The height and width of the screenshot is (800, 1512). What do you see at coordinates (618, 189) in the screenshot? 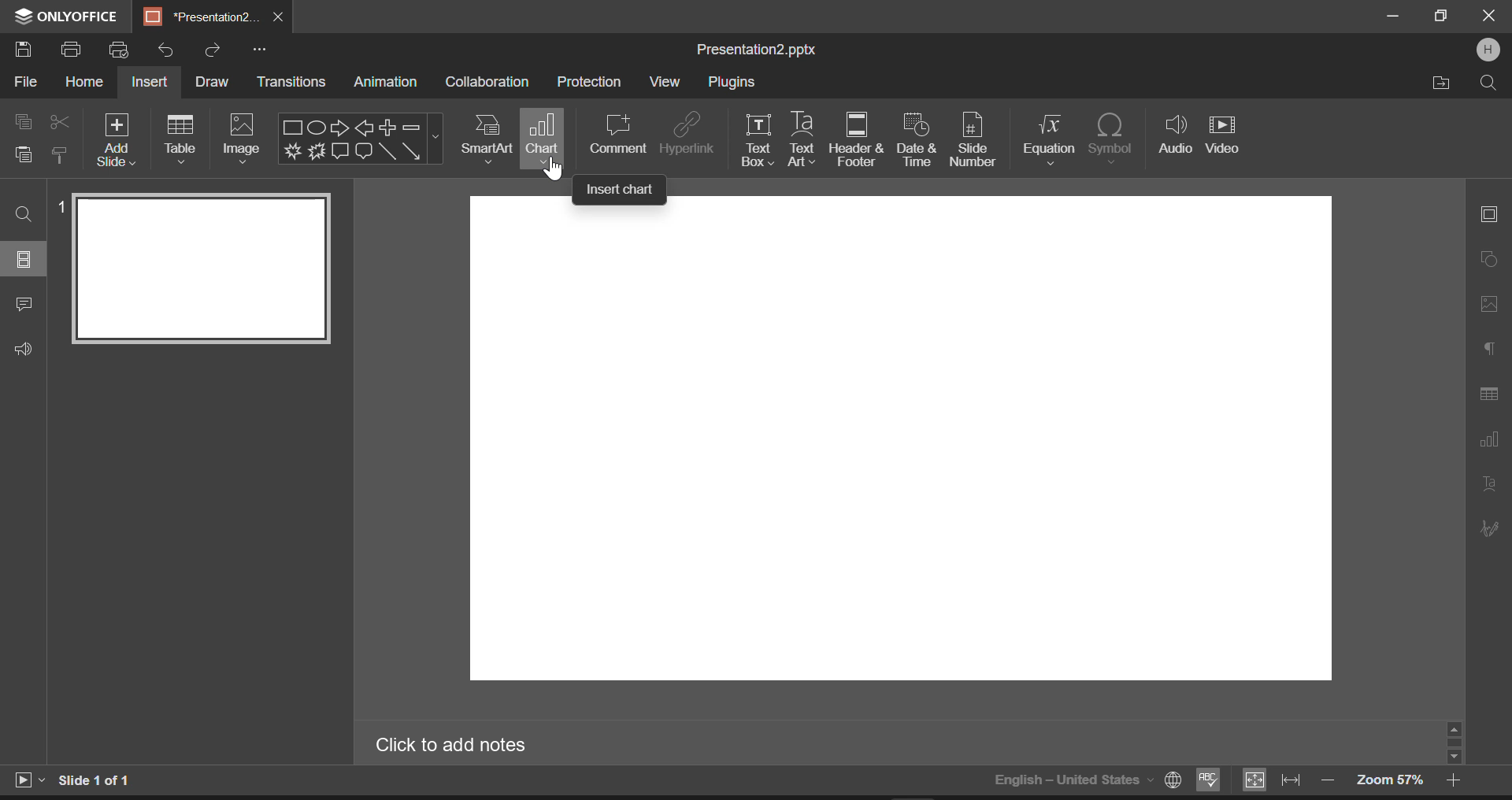
I see `Insert chart` at bounding box center [618, 189].